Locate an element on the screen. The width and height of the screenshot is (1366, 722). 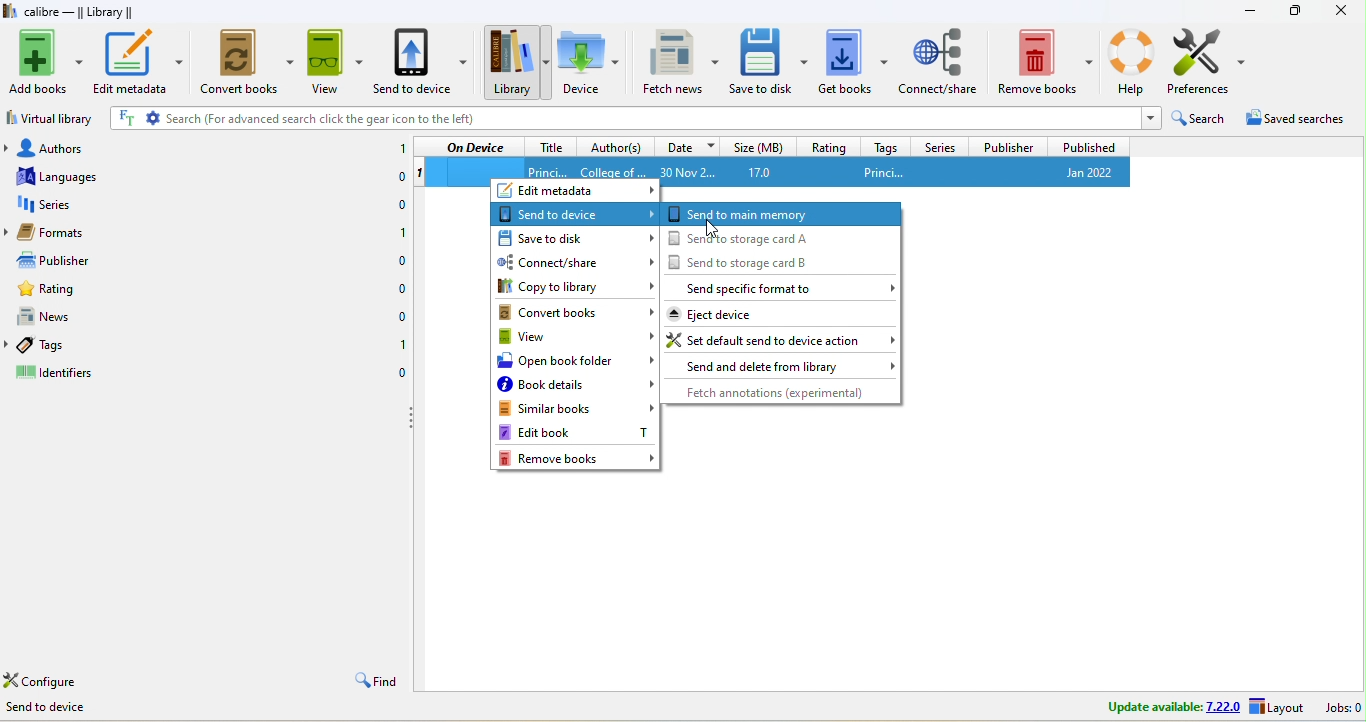
logo is located at coordinates (10, 11).